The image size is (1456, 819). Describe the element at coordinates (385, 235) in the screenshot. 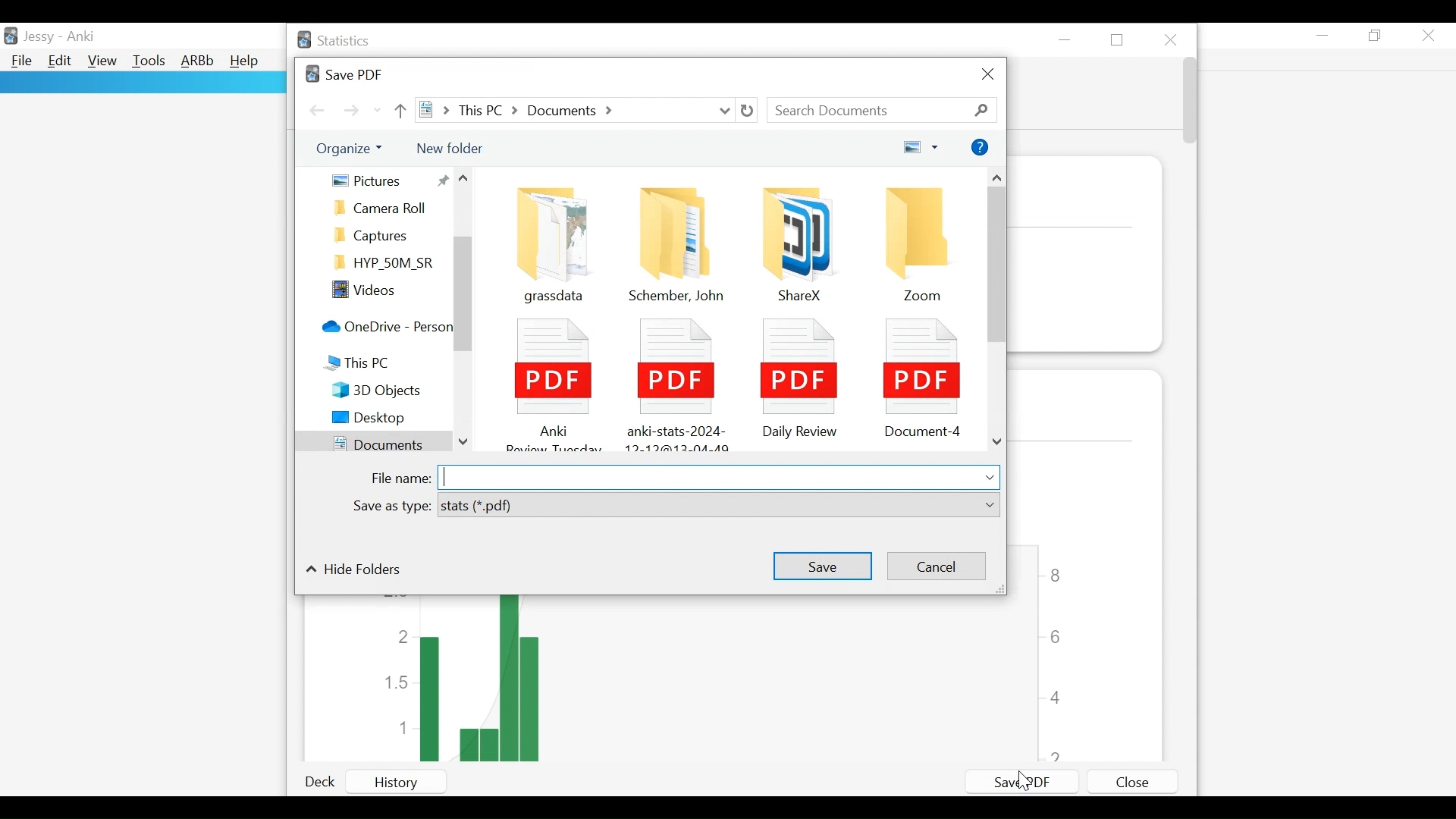

I see `Folder` at that location.